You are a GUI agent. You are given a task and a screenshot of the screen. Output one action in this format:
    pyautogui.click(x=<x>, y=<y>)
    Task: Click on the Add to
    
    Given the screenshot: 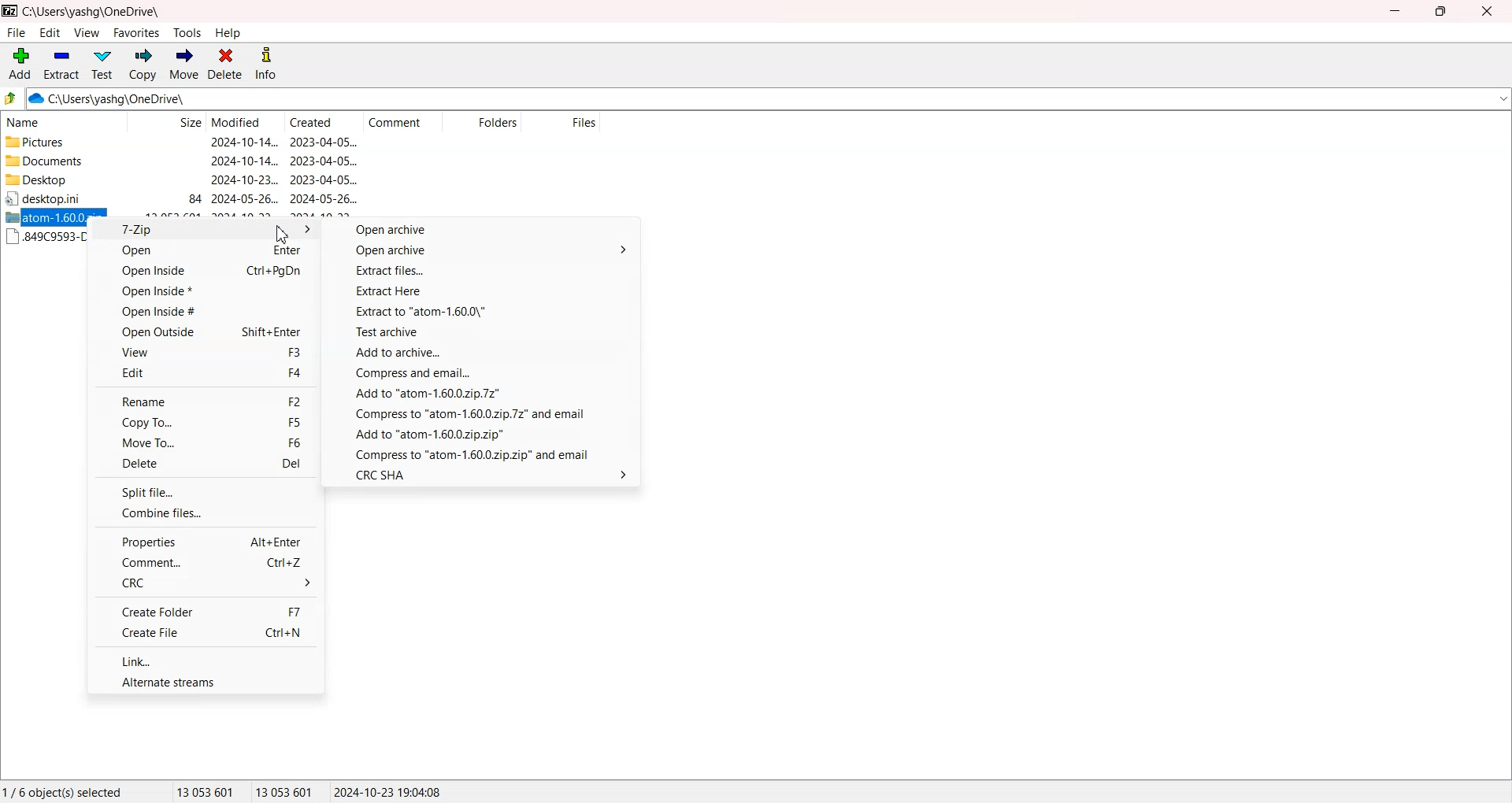 What is the action you would take?
    pyautogui.click(x=484, y=435)
    